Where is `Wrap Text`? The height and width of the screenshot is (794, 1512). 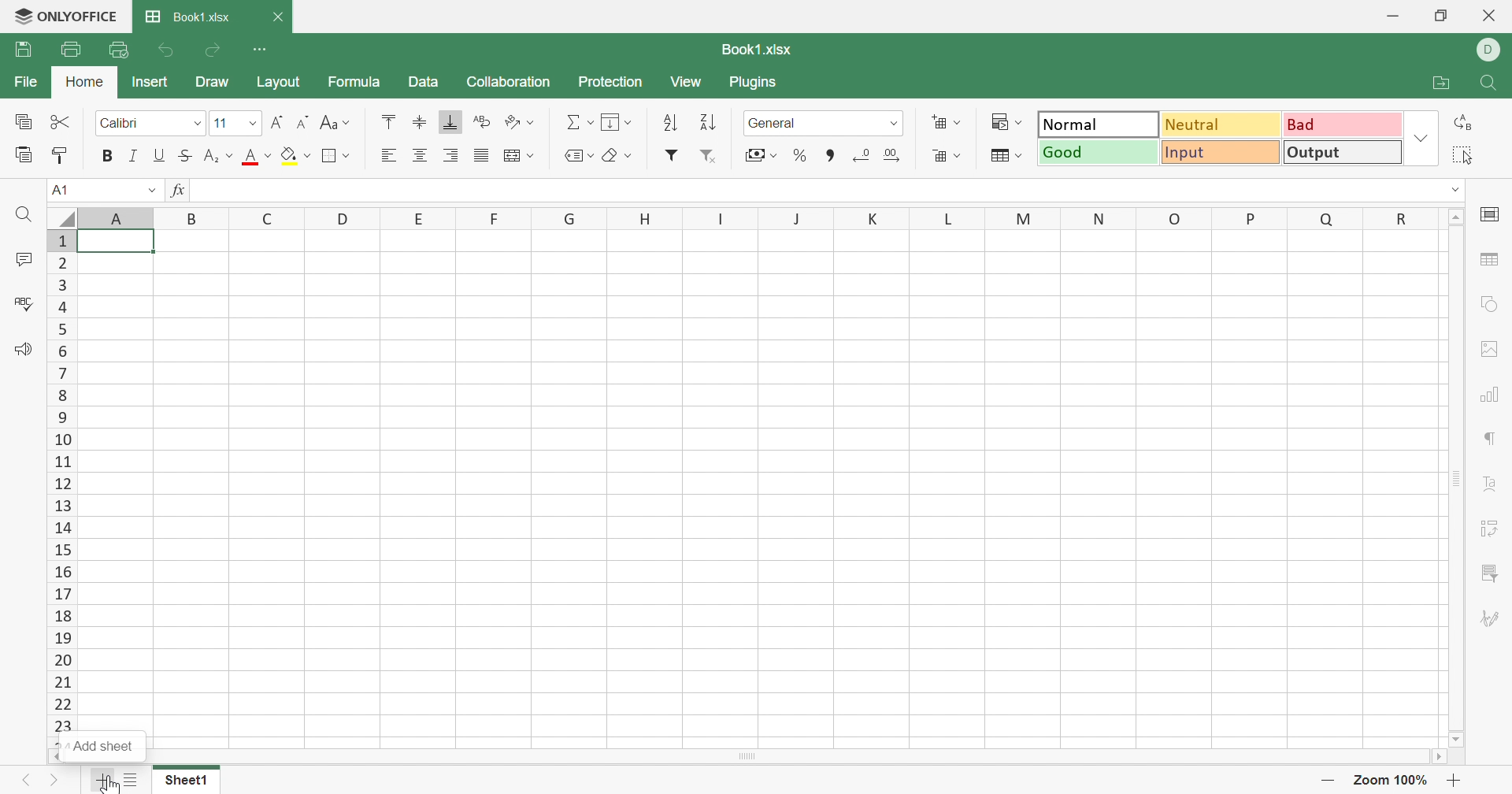
Wrap Text is located at coordinates (480, 121).